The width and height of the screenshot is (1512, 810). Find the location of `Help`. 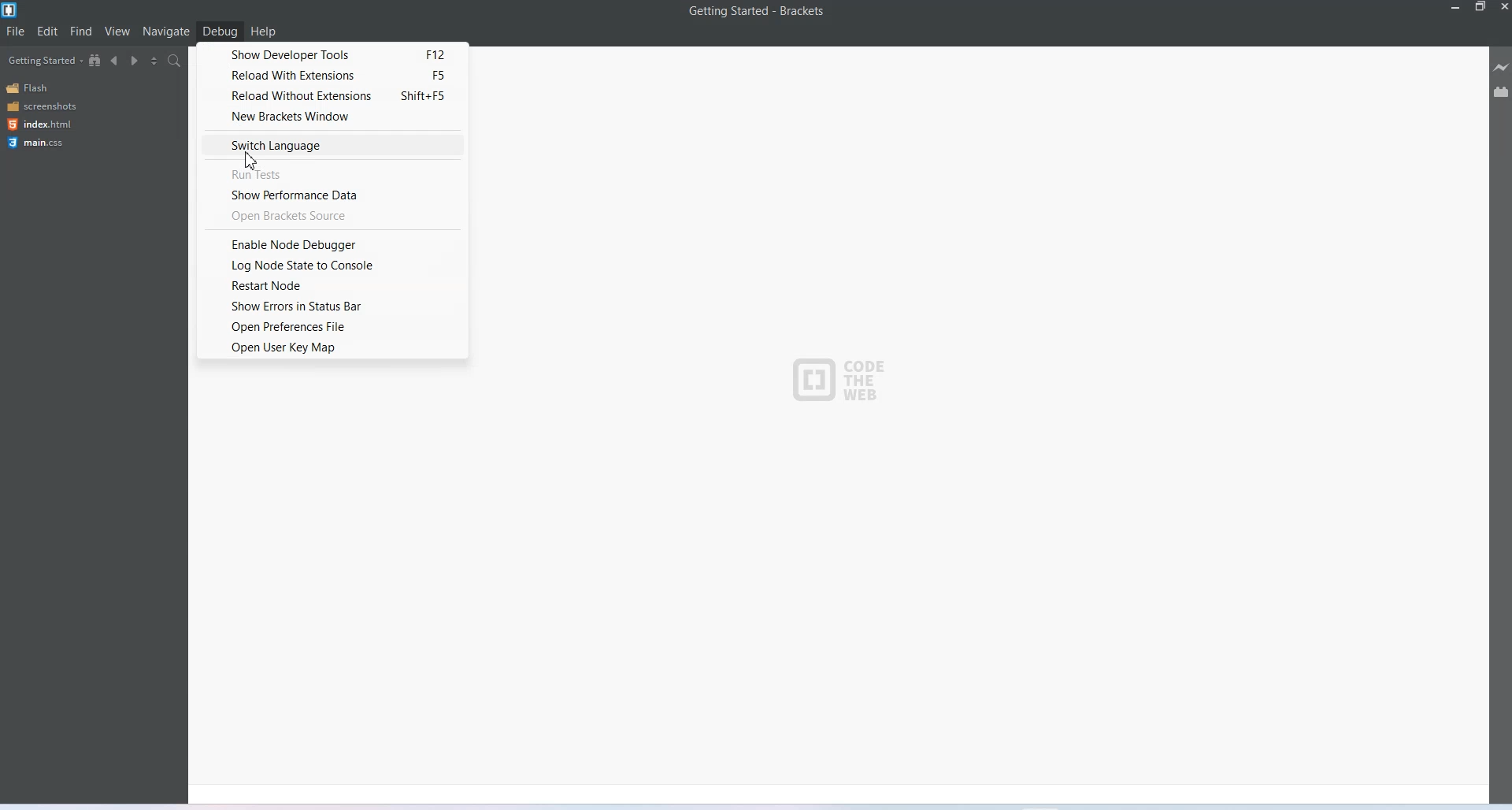

Help is located at coordinates (263, 31).